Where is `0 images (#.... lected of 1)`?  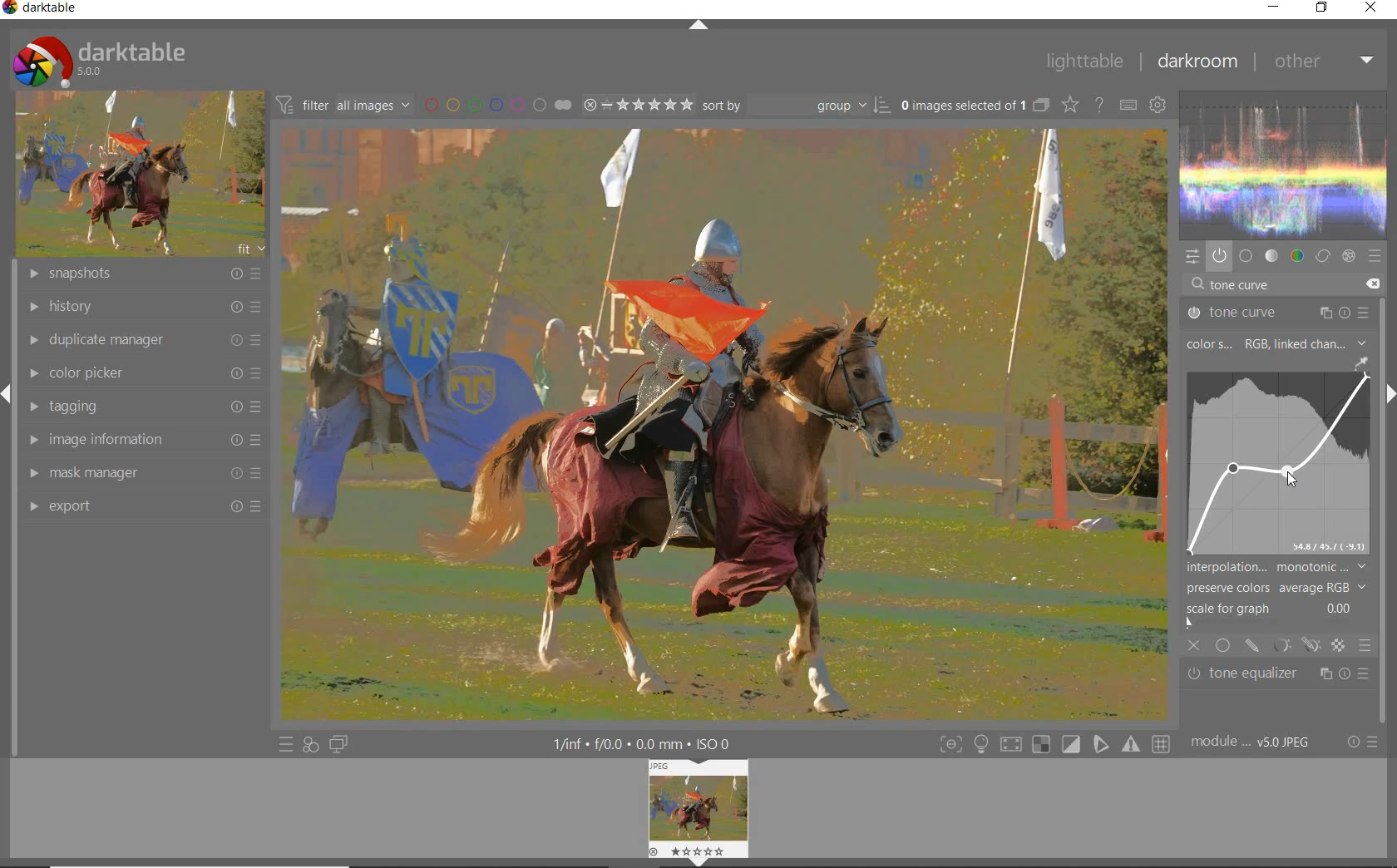
0 images (#.... lected of 1) is located at coordinates (973, 105).